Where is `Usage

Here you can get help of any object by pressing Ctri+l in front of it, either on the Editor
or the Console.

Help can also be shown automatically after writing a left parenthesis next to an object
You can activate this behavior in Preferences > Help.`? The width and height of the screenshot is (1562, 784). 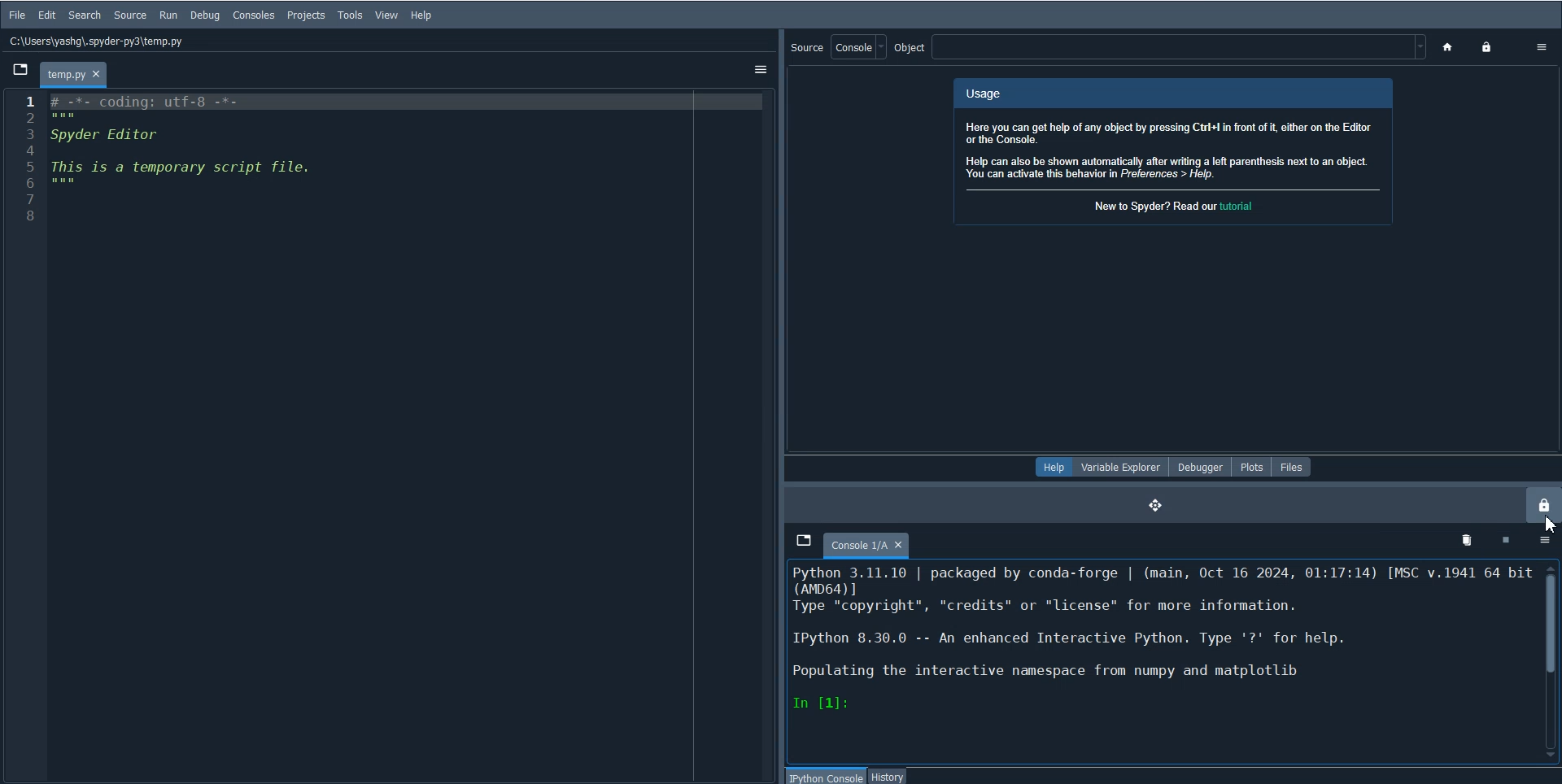 Usage

Here you can get help of any object by pressing Ctri+l in front of it, either on the Editor
or the Console.

Help can also be shown automatically after writing a left parenthesis next to an object
You can activate this behavior in Preferences > Help. is located at coordinates (1173, 133).